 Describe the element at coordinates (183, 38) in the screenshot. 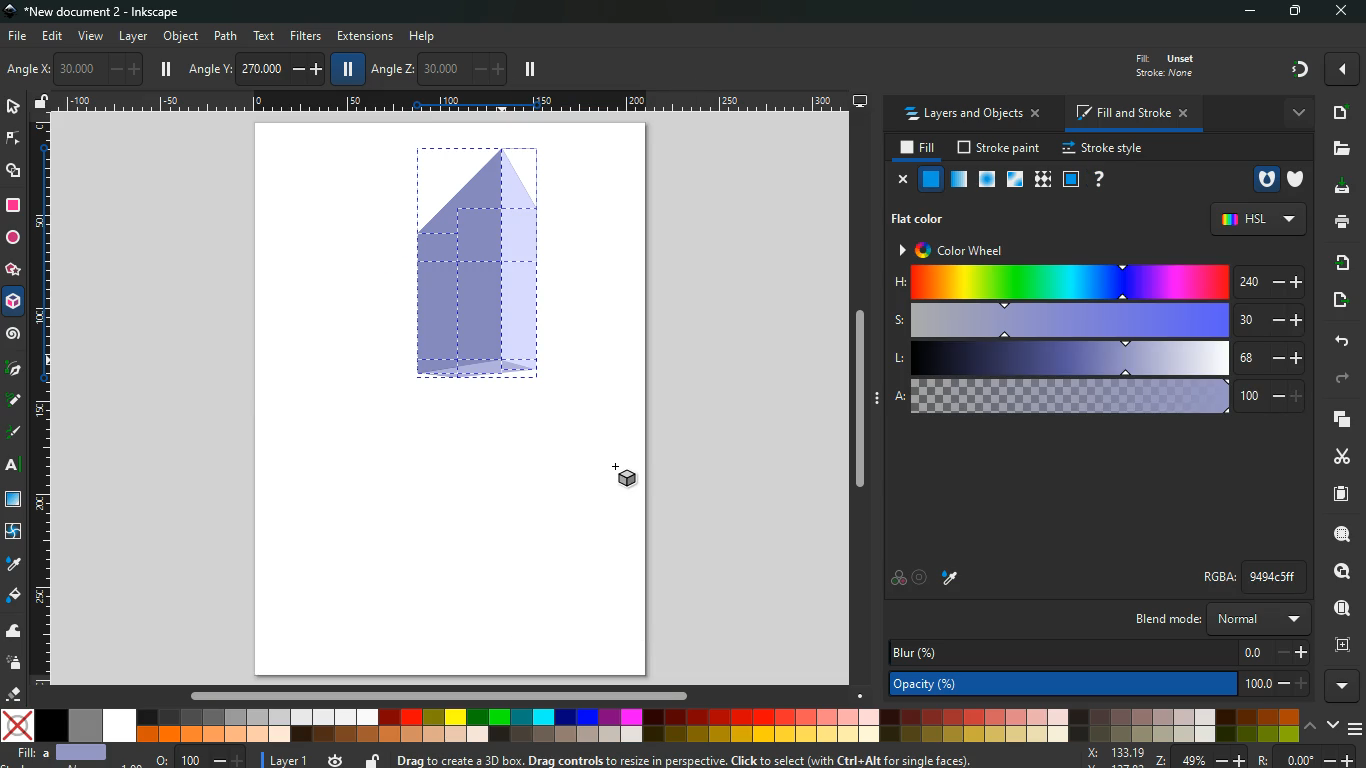

I see `object` at that location.